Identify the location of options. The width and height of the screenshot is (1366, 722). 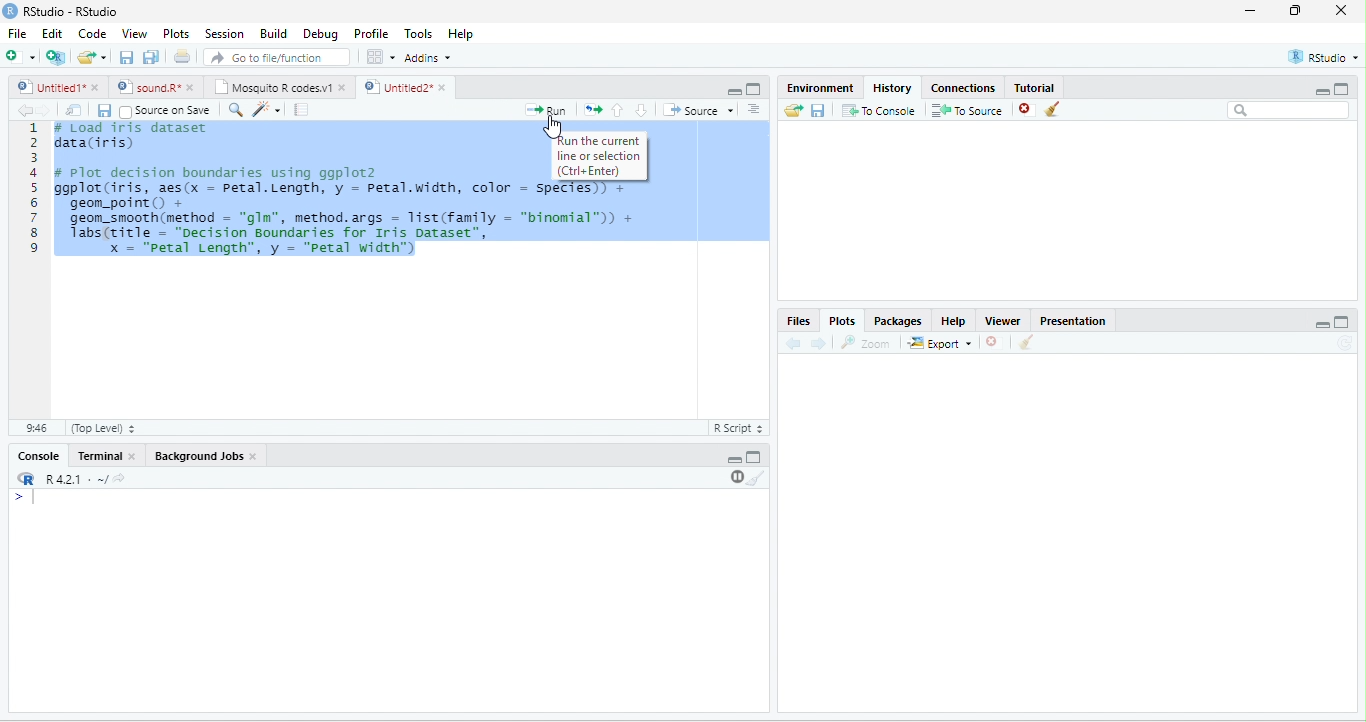
(754, 109).